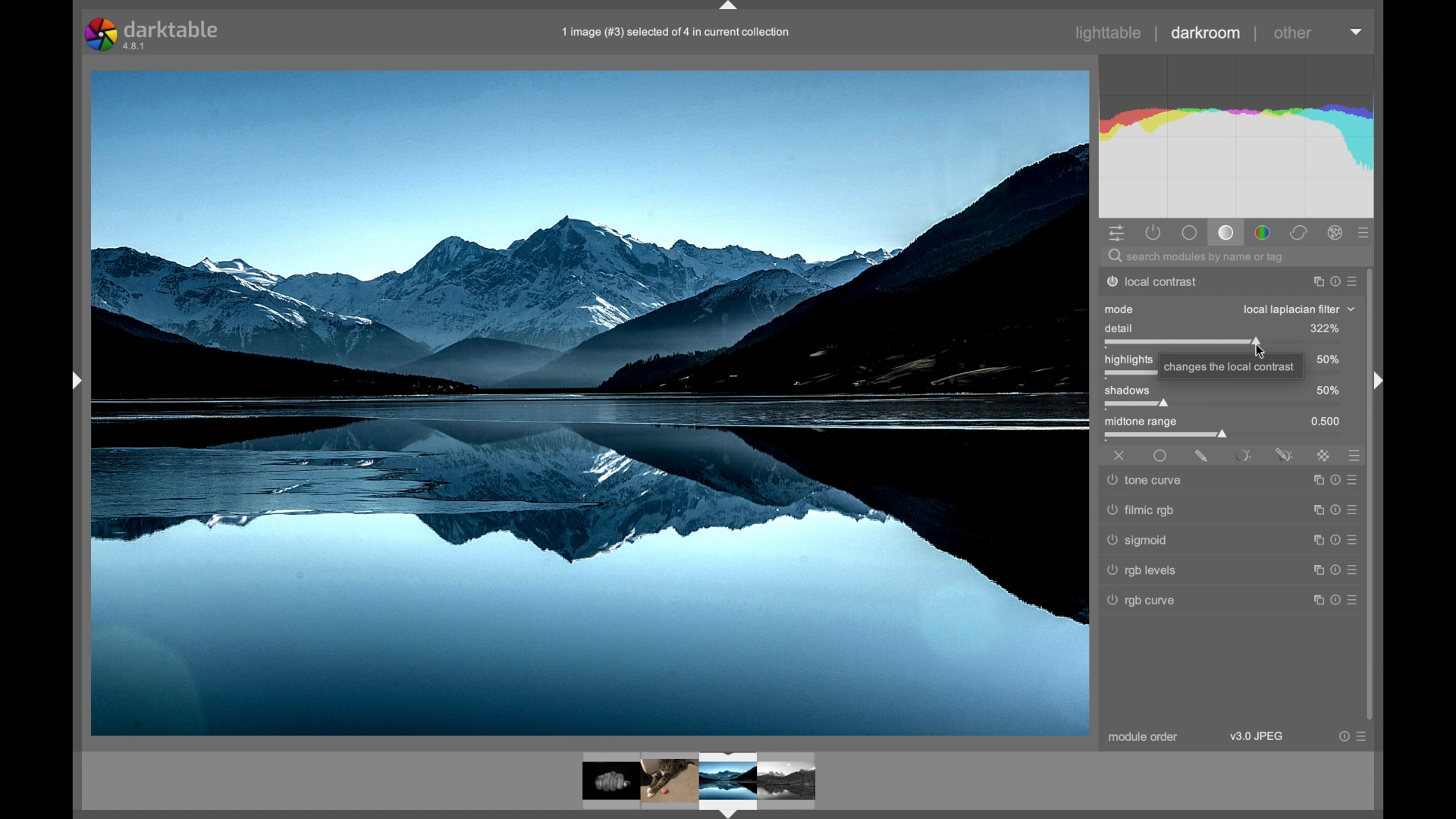 The width and height of the screenshot is (1456, 819). I want to click on detail, so click(1120, 329).